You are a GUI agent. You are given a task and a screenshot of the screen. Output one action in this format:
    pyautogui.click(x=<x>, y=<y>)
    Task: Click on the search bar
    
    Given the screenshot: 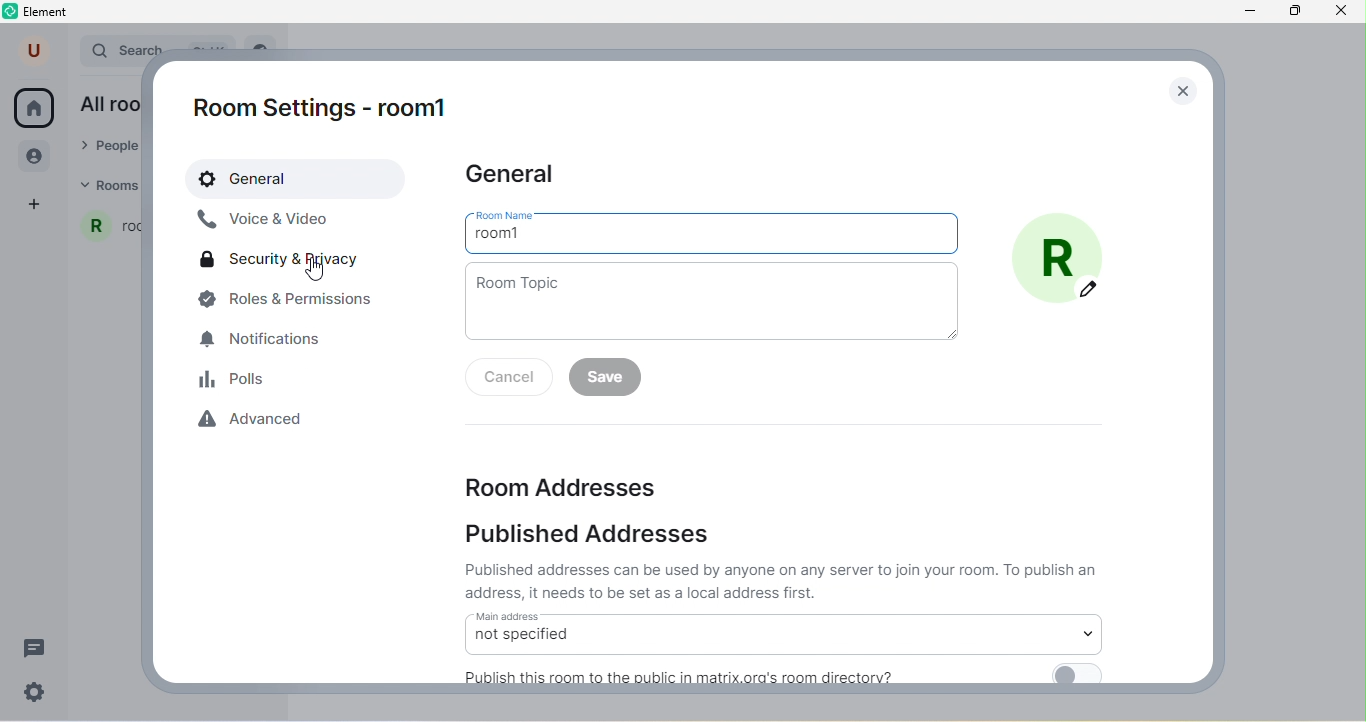 What is the action you would take?
    pyautogui.click(x=130, y=51)
    